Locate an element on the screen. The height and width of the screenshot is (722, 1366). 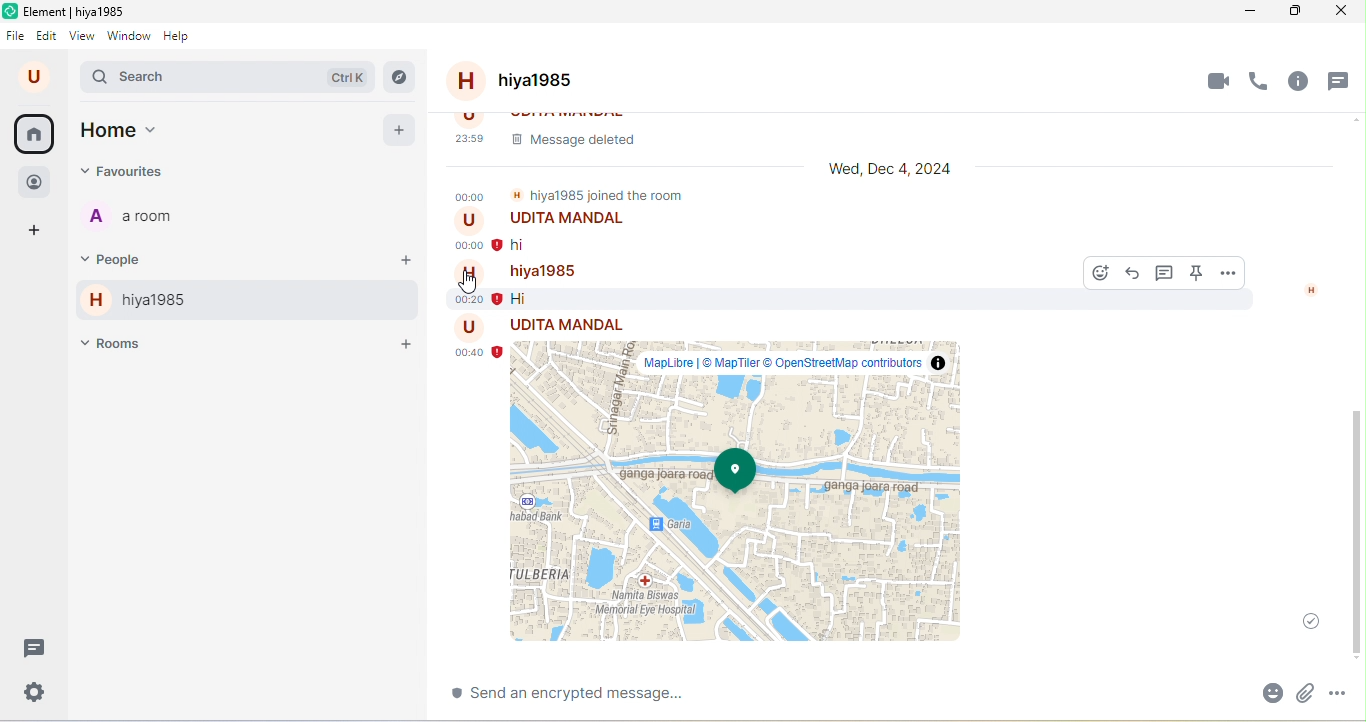
react is located at coordinates (1095, 274).